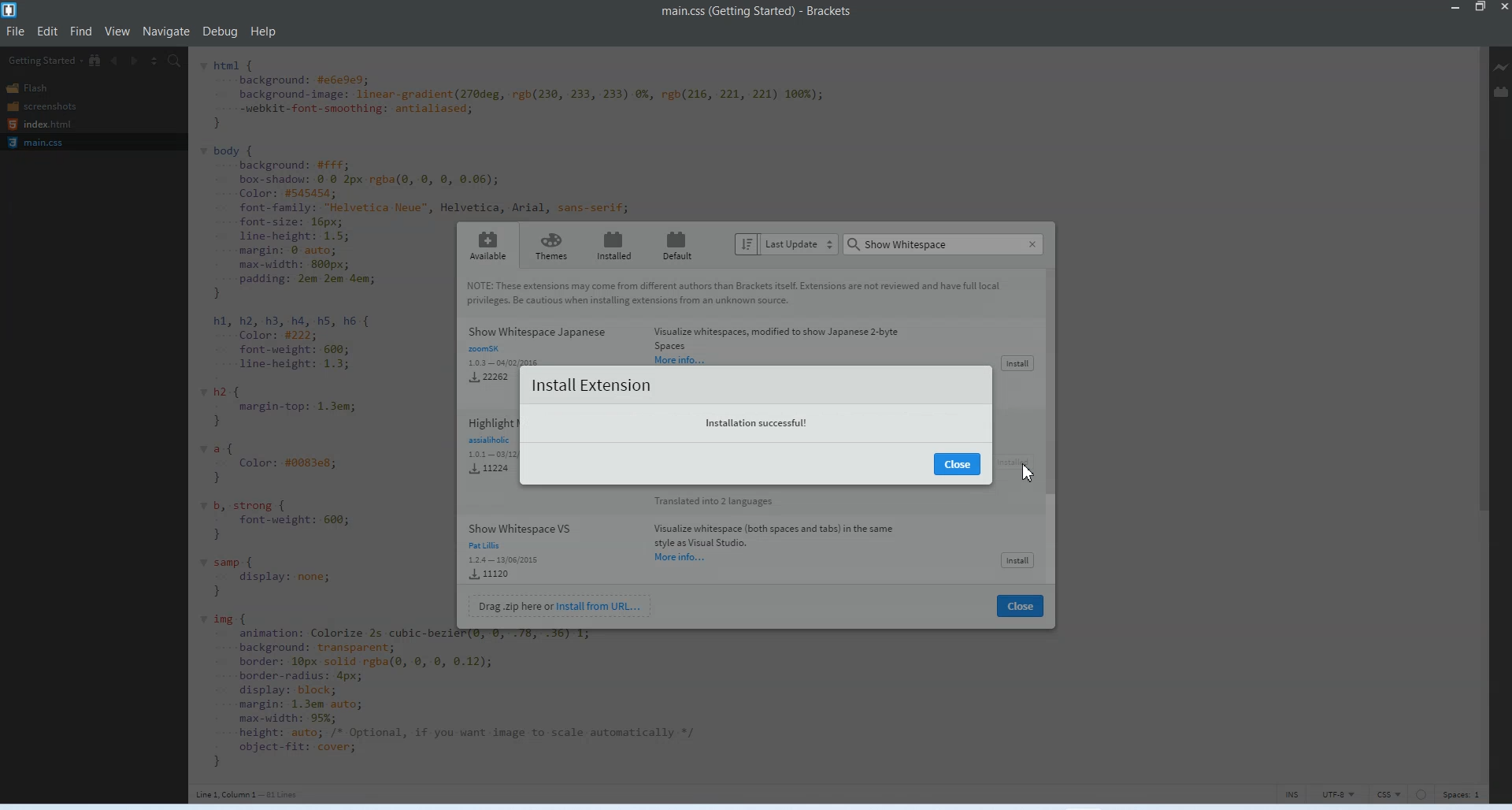 The image size is (1512, 810). Describe the element at coordinates (516, 136) in the screenshot. I see `Code` at that location.